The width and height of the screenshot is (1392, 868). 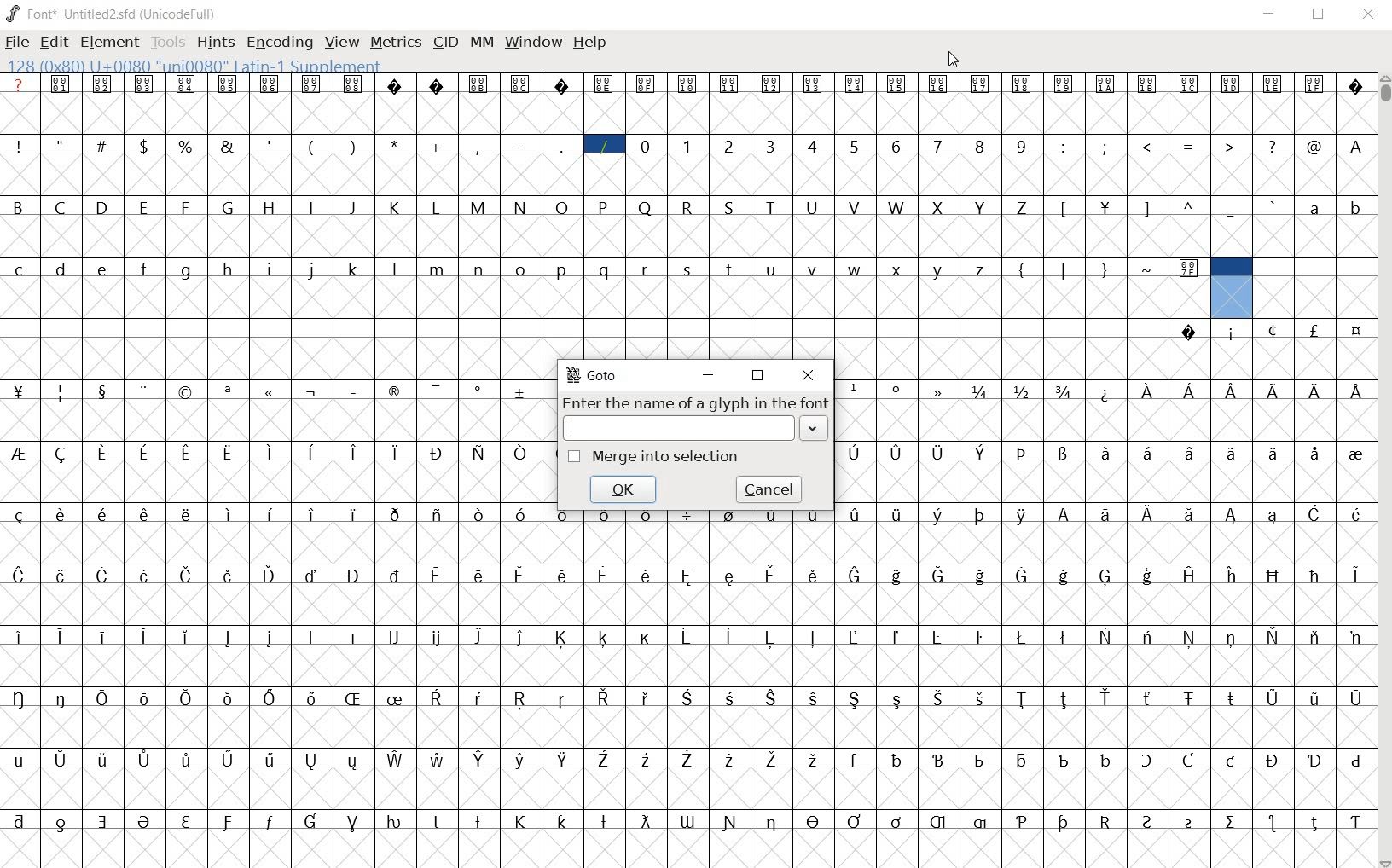 I want to click on j, so click(x=312, y=270).